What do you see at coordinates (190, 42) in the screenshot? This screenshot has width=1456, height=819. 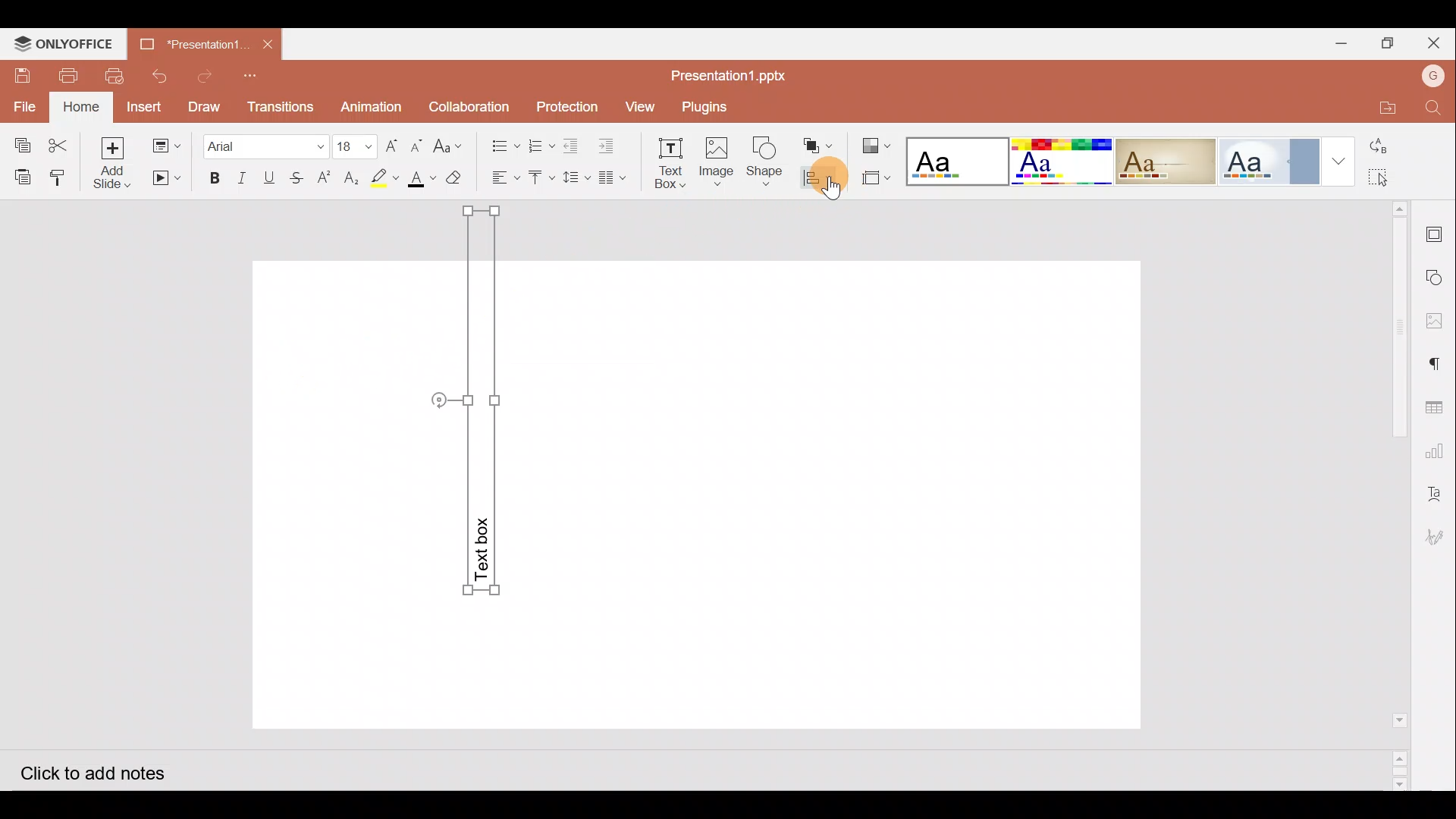 I see `*Presentation..` at bounding box center [190, 42].